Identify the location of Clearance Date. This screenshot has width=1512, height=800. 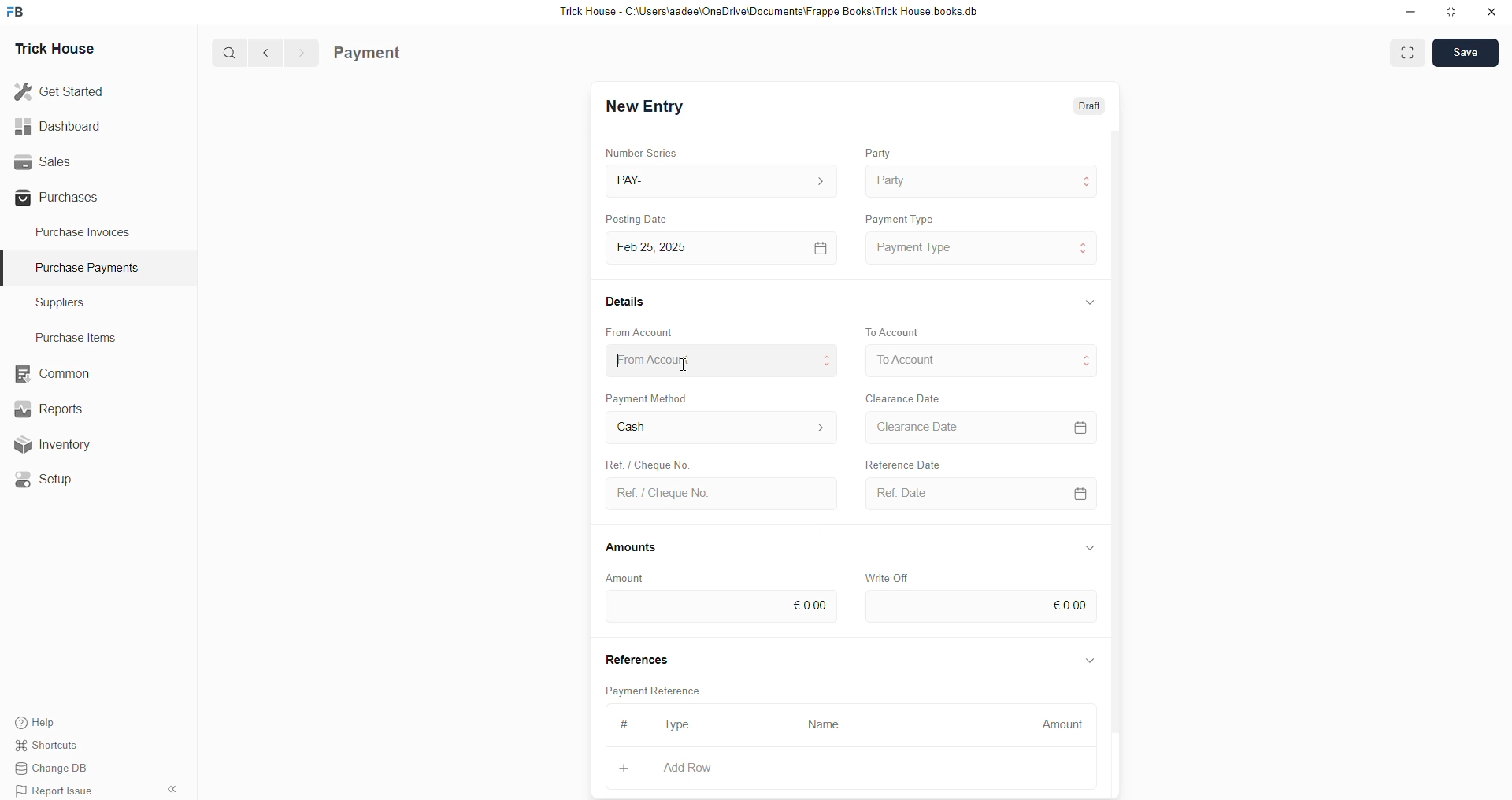
(925, 428).